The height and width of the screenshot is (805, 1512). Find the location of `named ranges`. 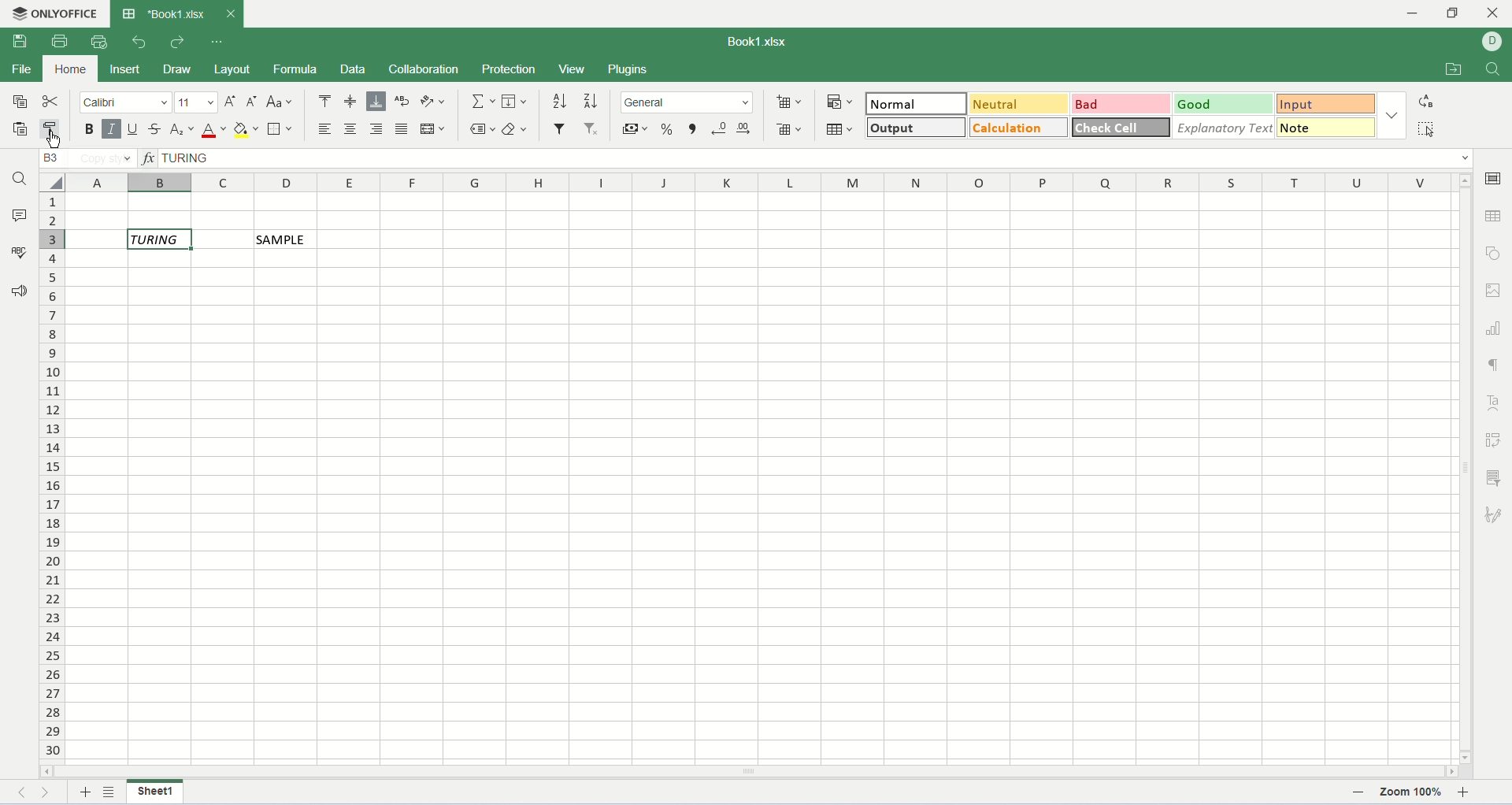

named ranges is located at coordinates (484, 129).